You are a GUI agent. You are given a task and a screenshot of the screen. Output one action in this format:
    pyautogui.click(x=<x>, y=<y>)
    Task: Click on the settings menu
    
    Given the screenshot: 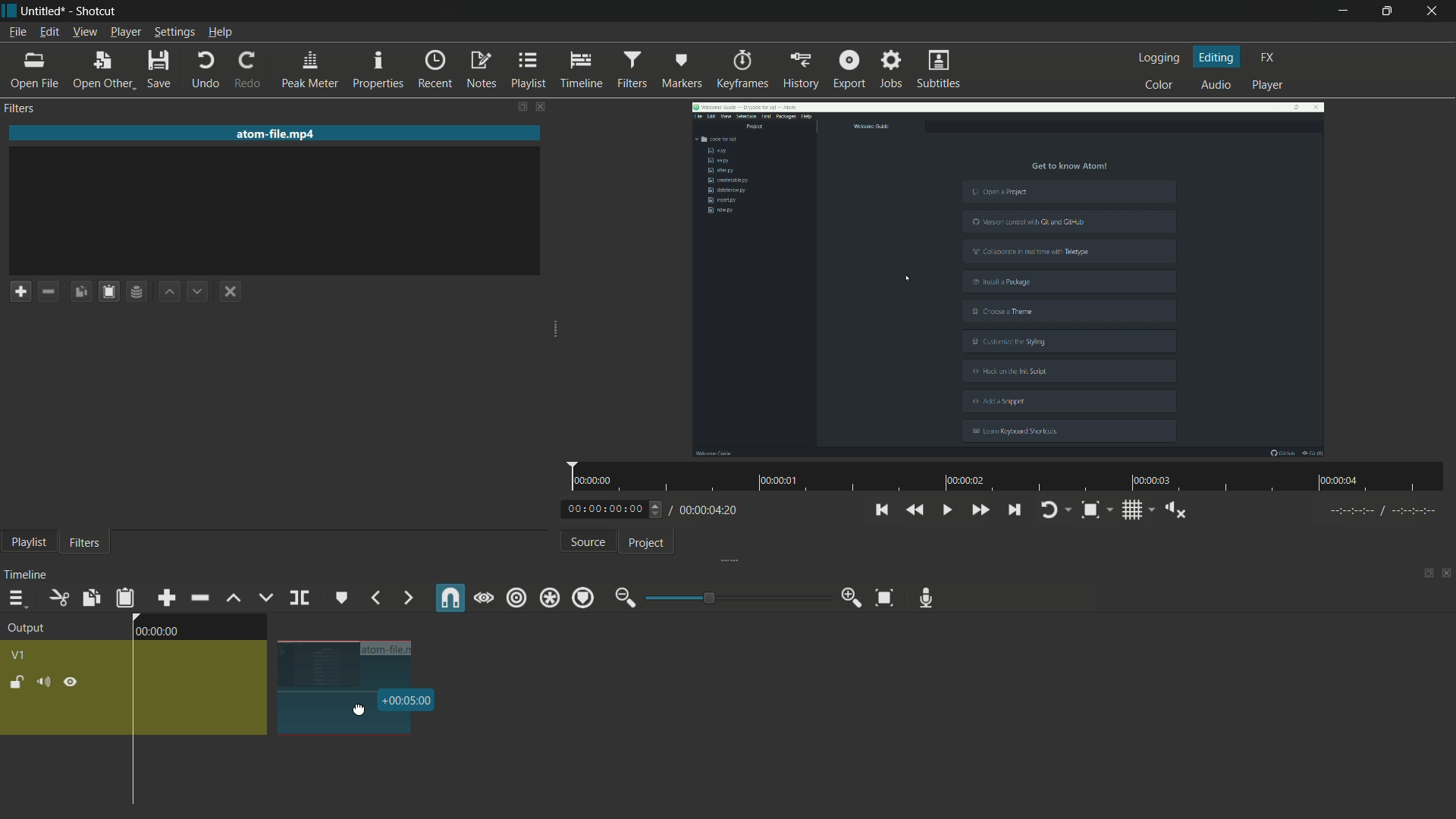 What is the action you would take?
    pyautogui.click(x=174, y=32)
    